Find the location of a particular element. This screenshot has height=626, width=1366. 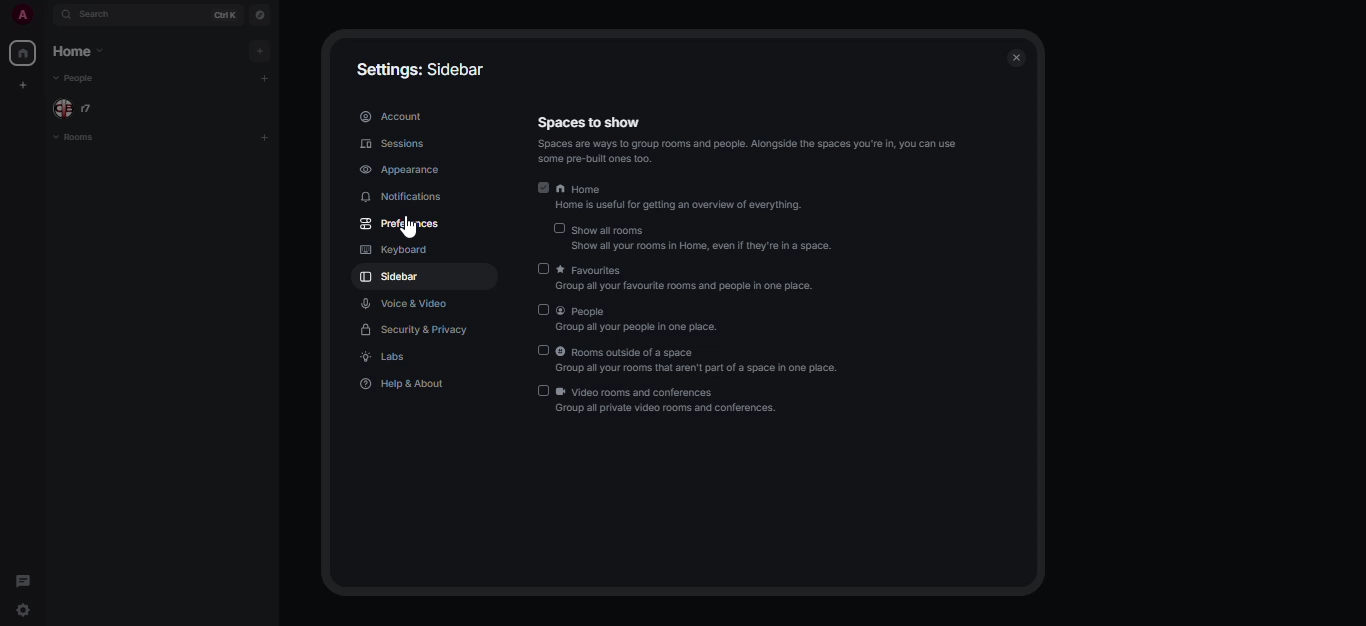

keyboard is located at coordinates (393, 248).